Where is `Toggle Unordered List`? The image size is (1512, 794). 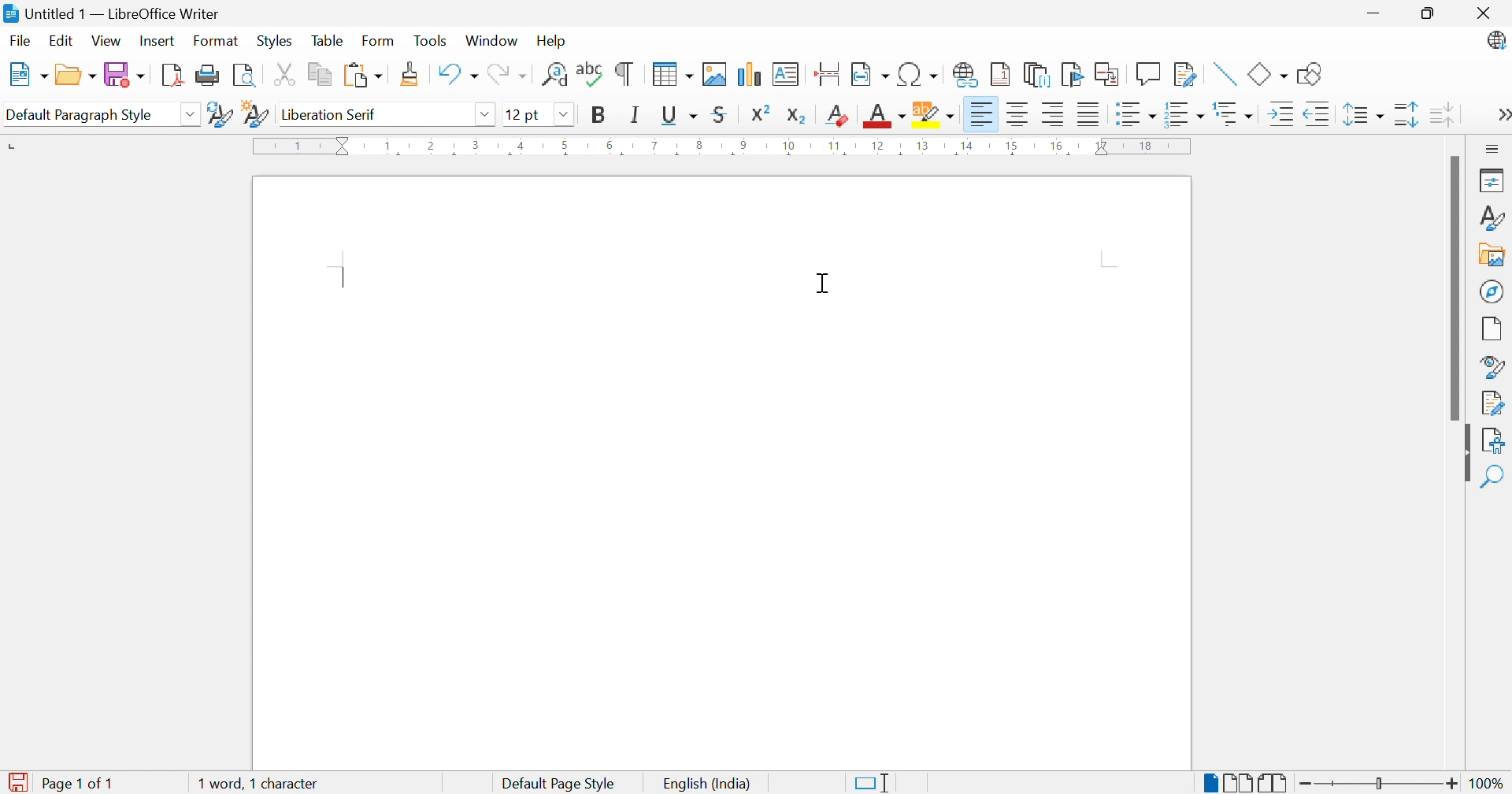
Toggle Unordered List is located at coordinates (1136, 114).